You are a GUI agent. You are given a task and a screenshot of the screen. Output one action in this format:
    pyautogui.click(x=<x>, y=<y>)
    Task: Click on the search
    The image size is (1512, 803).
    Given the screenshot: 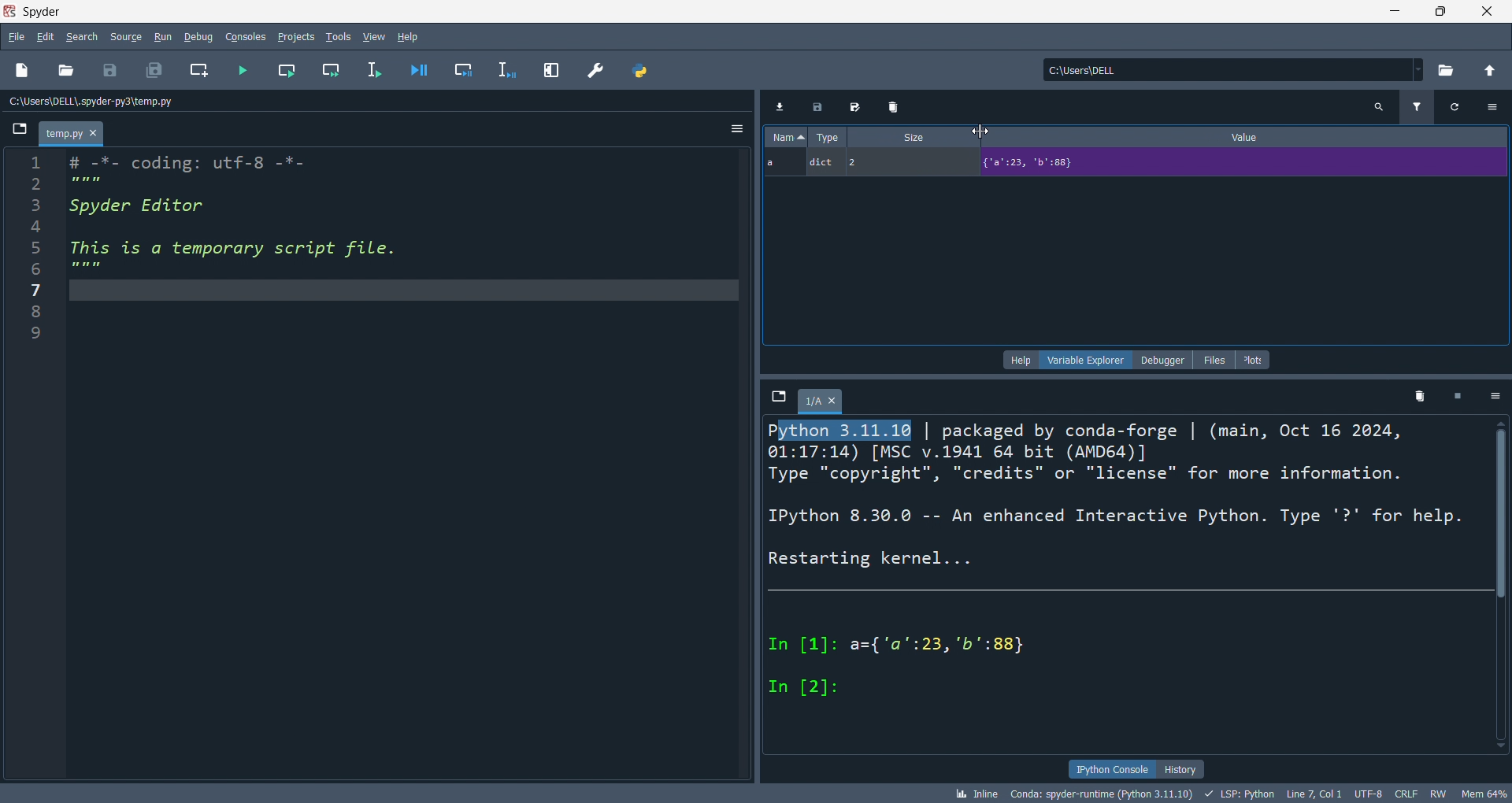 What is the action you would take?
    pyautogui.click(x=1377, y=105)
    